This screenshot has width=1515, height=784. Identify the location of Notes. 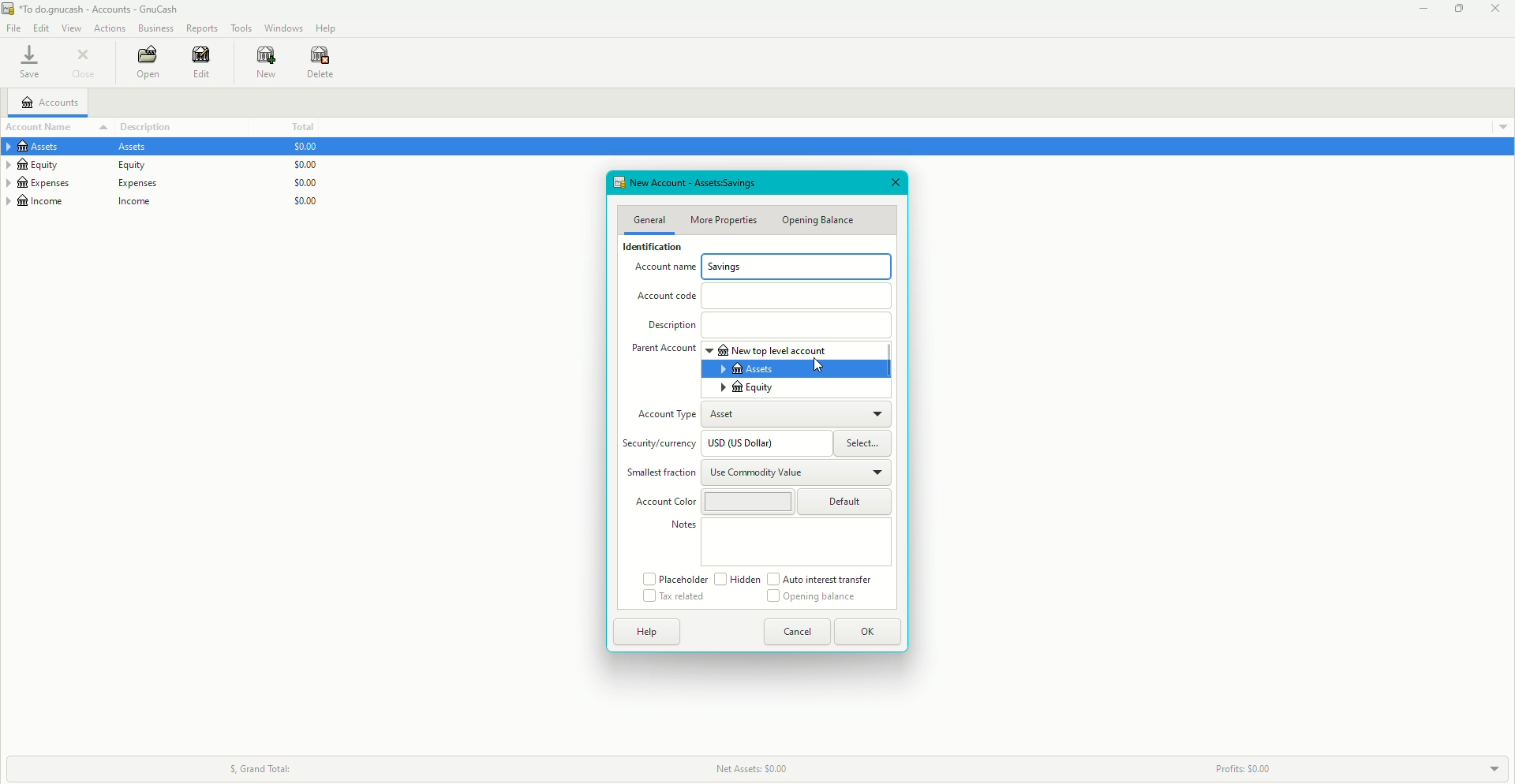
(683, 525).